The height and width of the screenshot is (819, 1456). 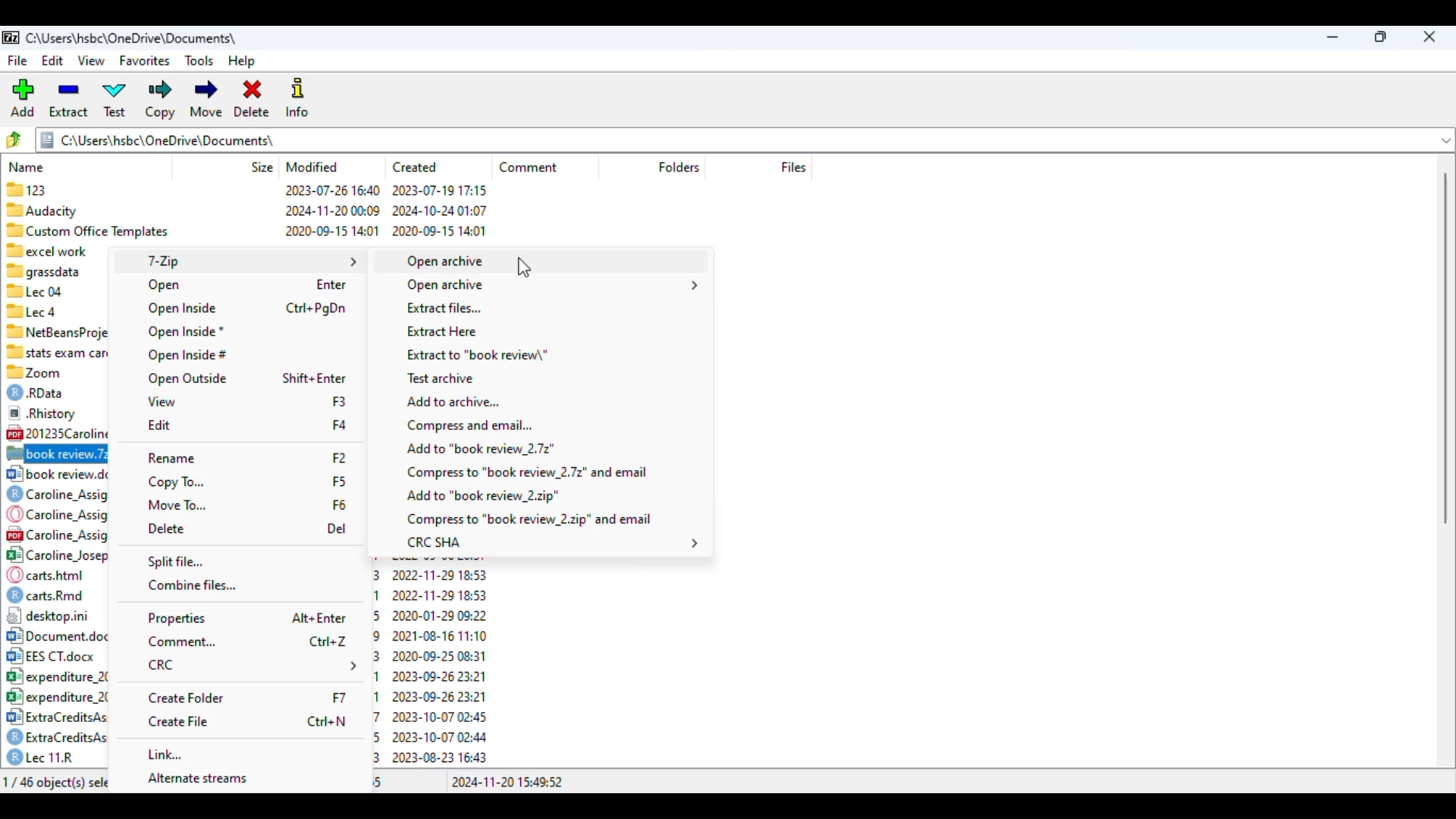 I want to click on close, so click(x=1429, y=37).